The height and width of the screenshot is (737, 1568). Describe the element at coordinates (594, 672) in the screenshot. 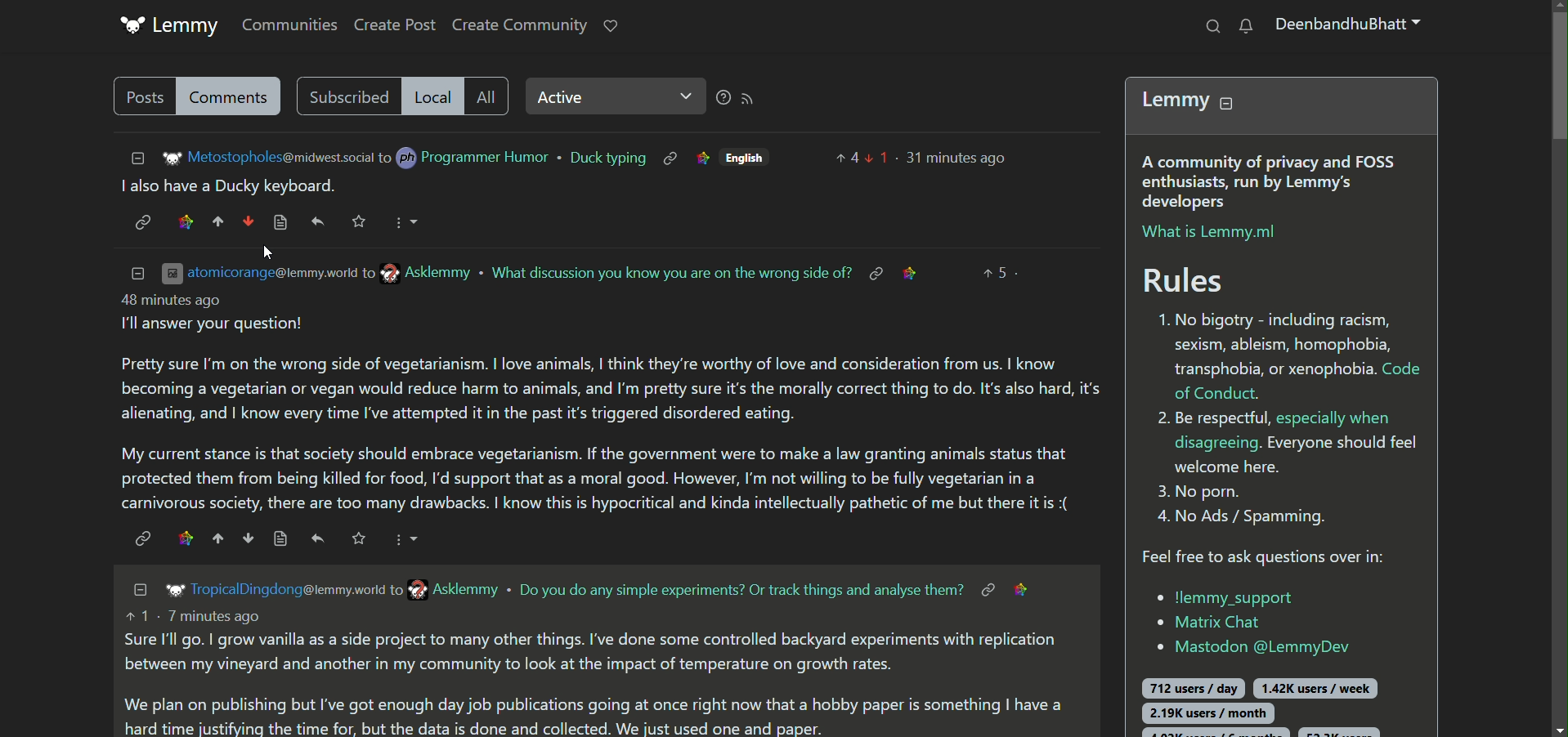

I see `text` at that location.